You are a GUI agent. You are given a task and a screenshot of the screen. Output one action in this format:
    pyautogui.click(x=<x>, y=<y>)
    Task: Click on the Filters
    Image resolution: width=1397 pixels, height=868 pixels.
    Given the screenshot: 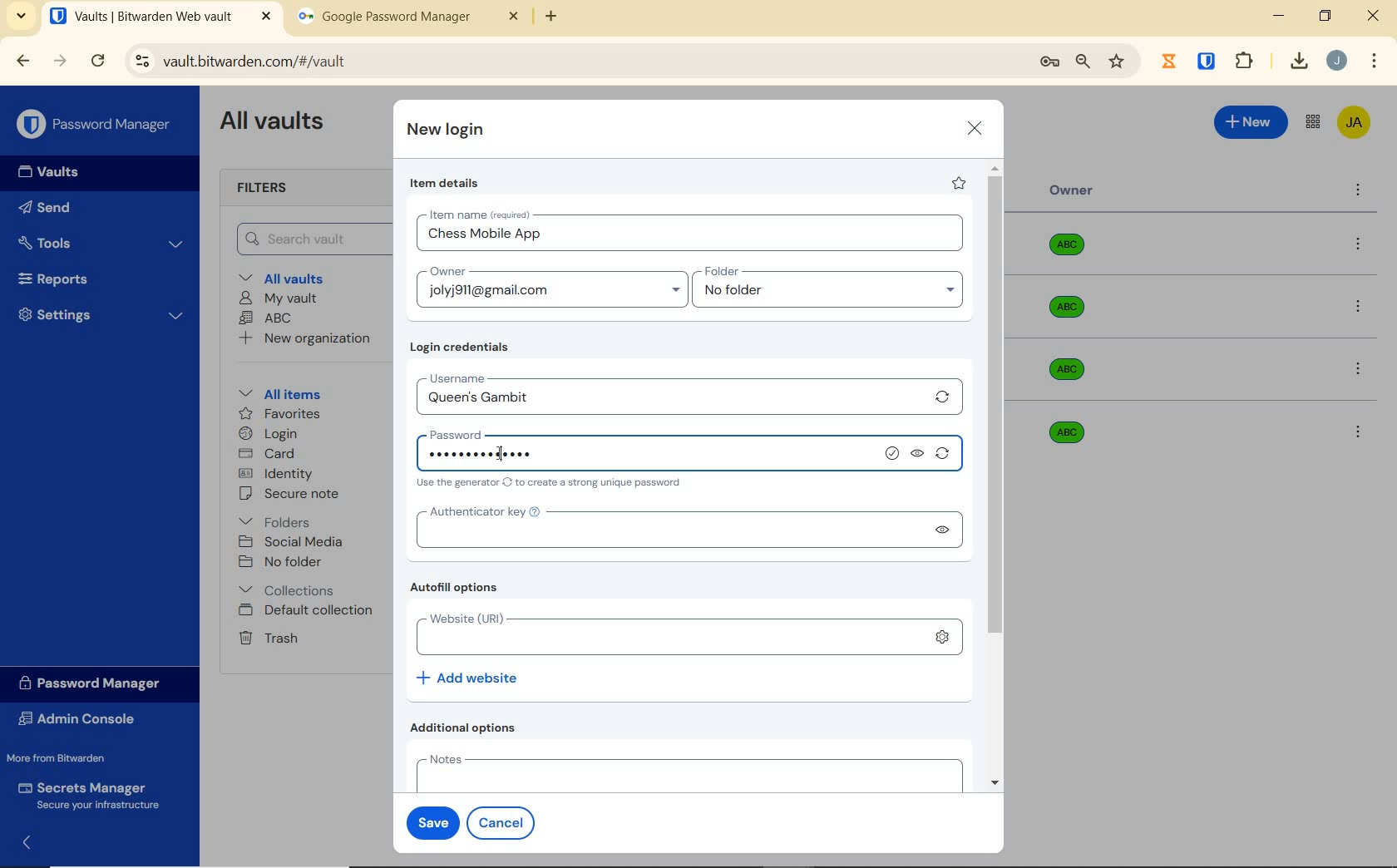 What is the action you would take?
    pyautogui.click(x=268, y=189)
    